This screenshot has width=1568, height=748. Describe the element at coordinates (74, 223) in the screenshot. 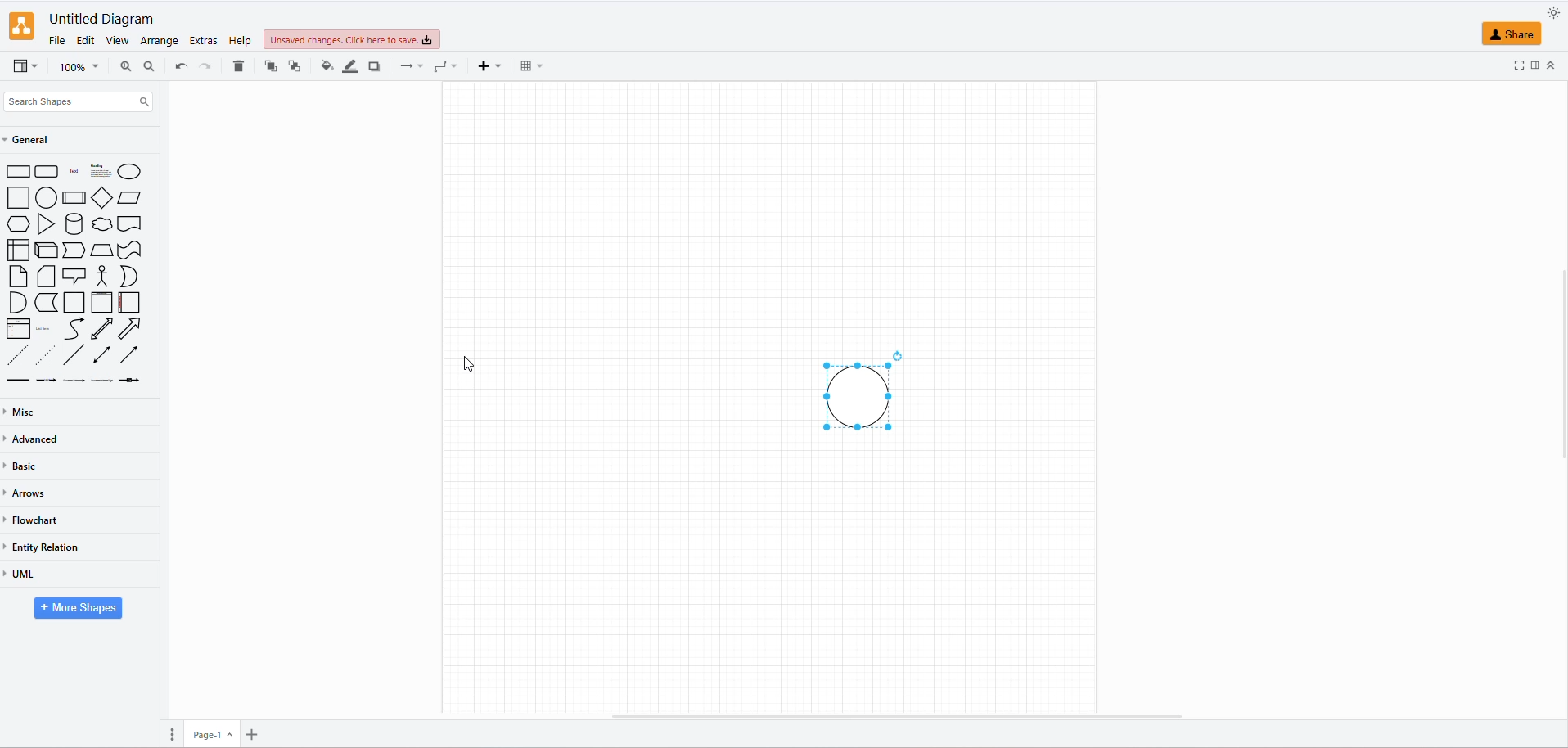

I see `CYLINDER` at that location.